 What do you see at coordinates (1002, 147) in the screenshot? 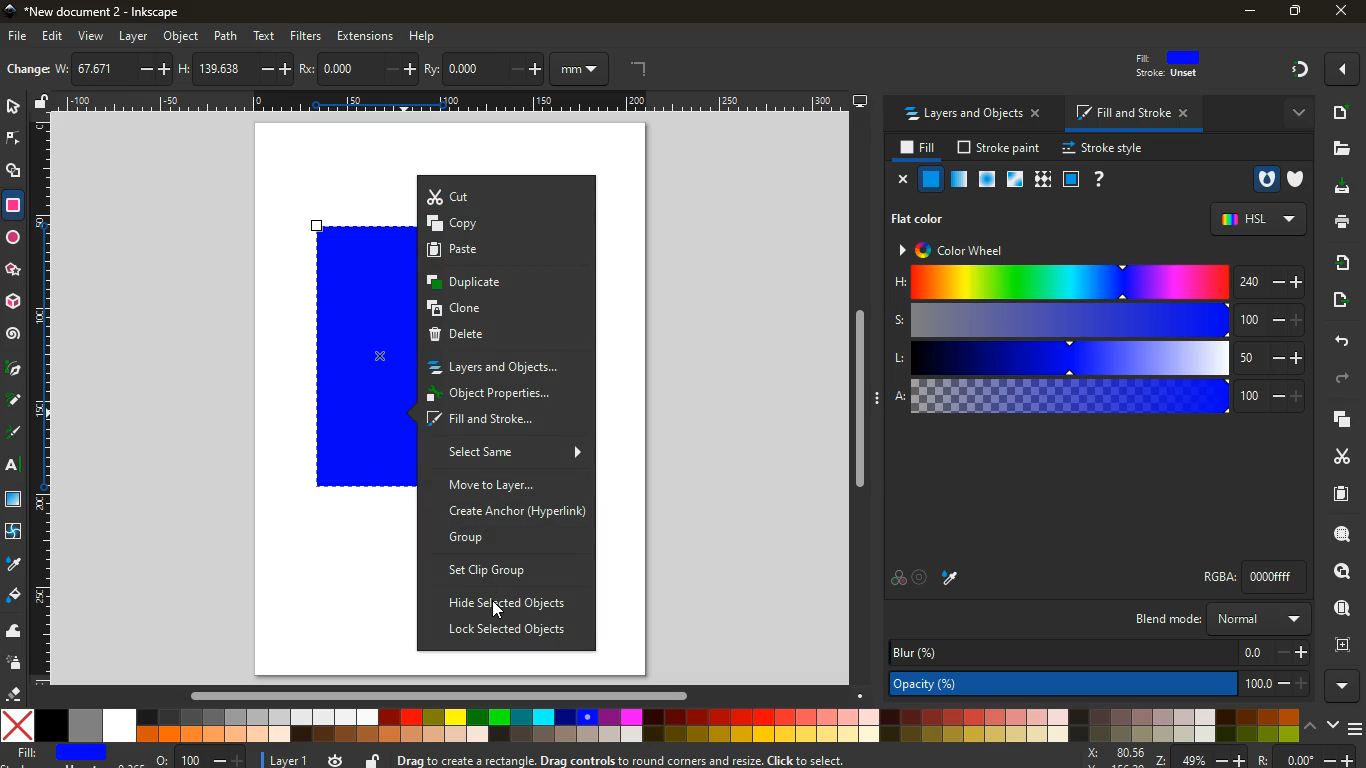
I see `stroke paint` at bounding box center [1002, 147].